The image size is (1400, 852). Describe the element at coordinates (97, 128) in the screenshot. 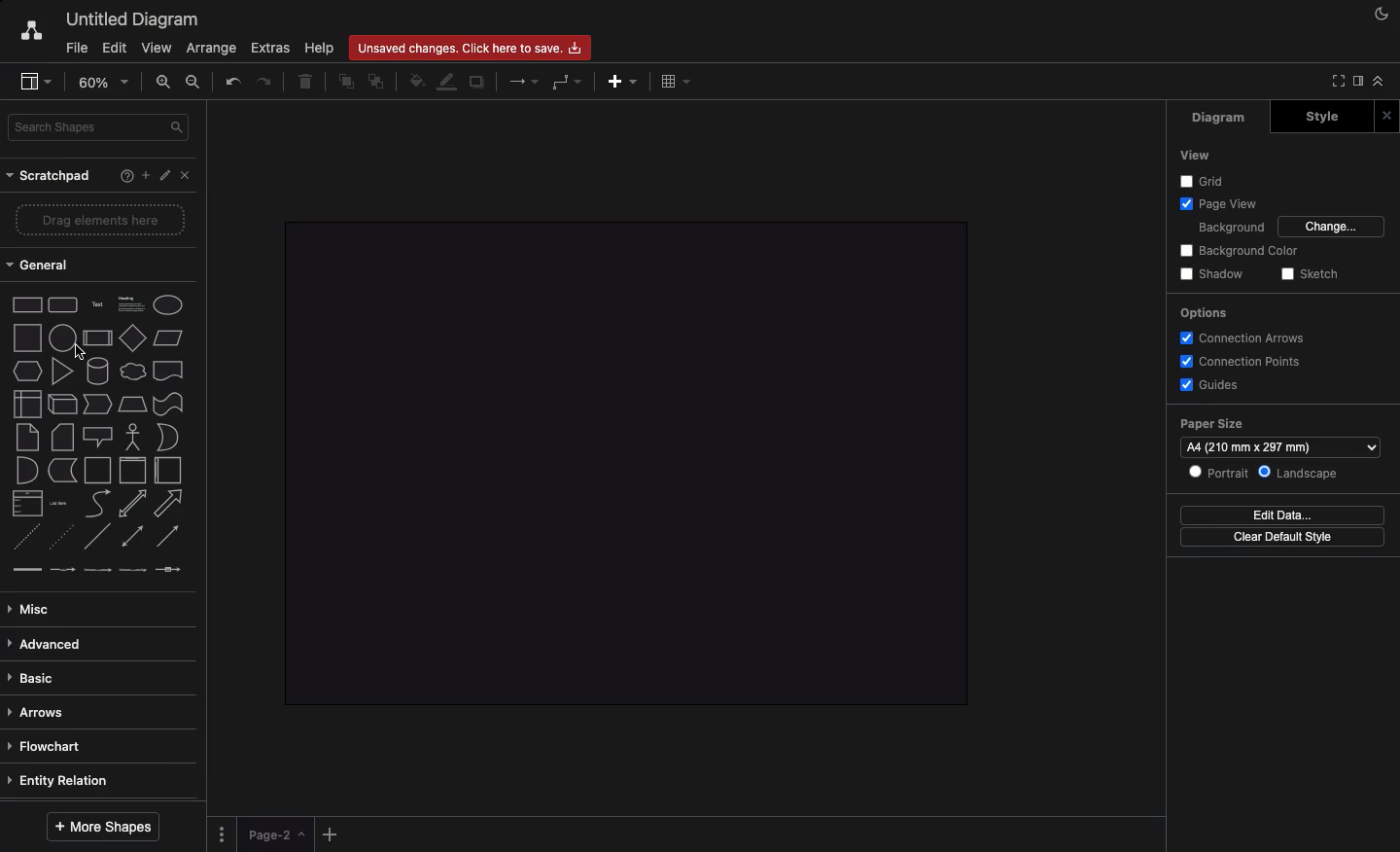

I see `Search shapes` at that location.